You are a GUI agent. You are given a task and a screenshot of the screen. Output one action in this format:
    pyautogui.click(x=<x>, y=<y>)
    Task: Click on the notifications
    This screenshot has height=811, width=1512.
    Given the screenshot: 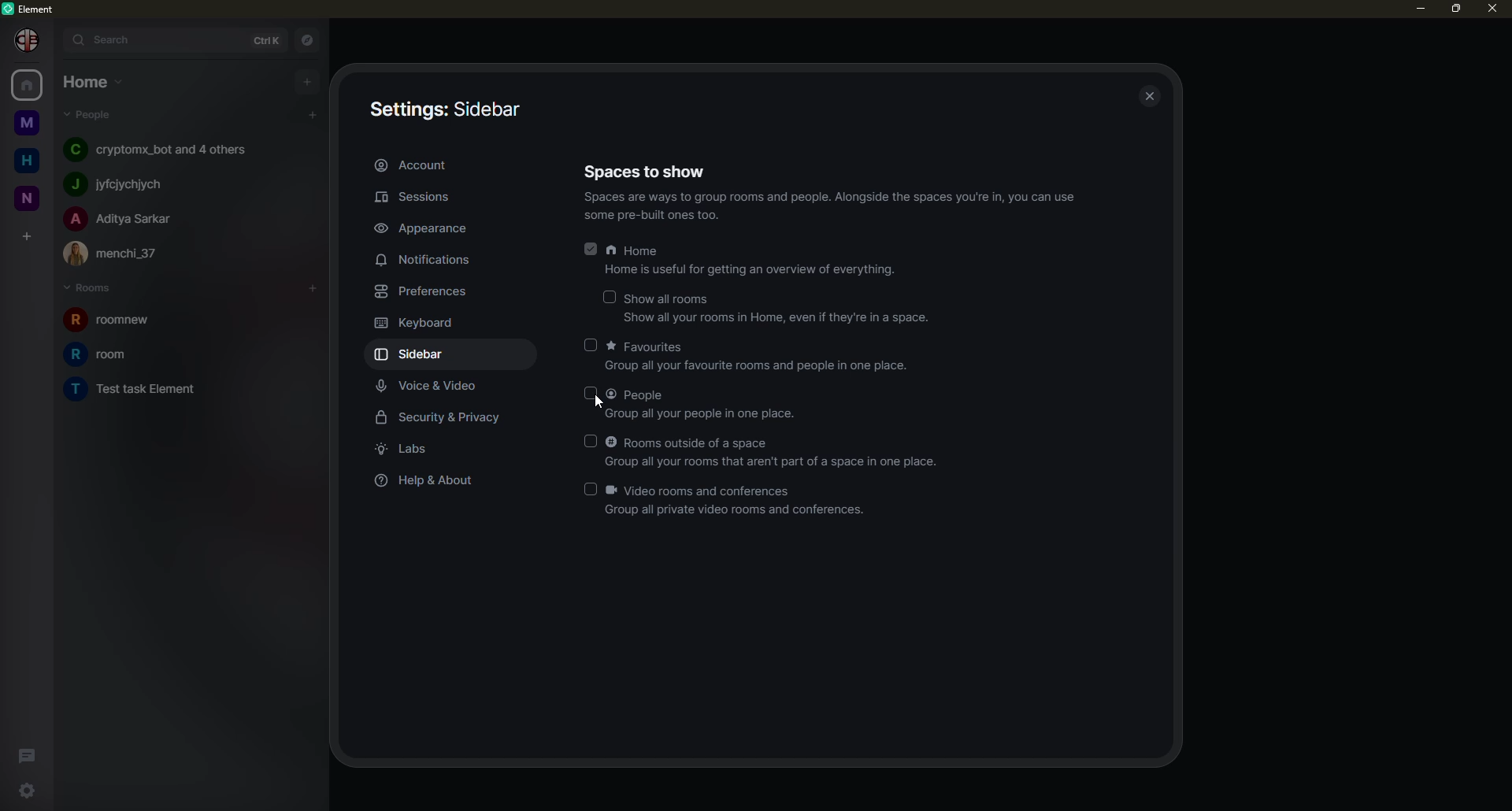 What is the action you would take?
    pyautogui.click(x=426, y=261)
    